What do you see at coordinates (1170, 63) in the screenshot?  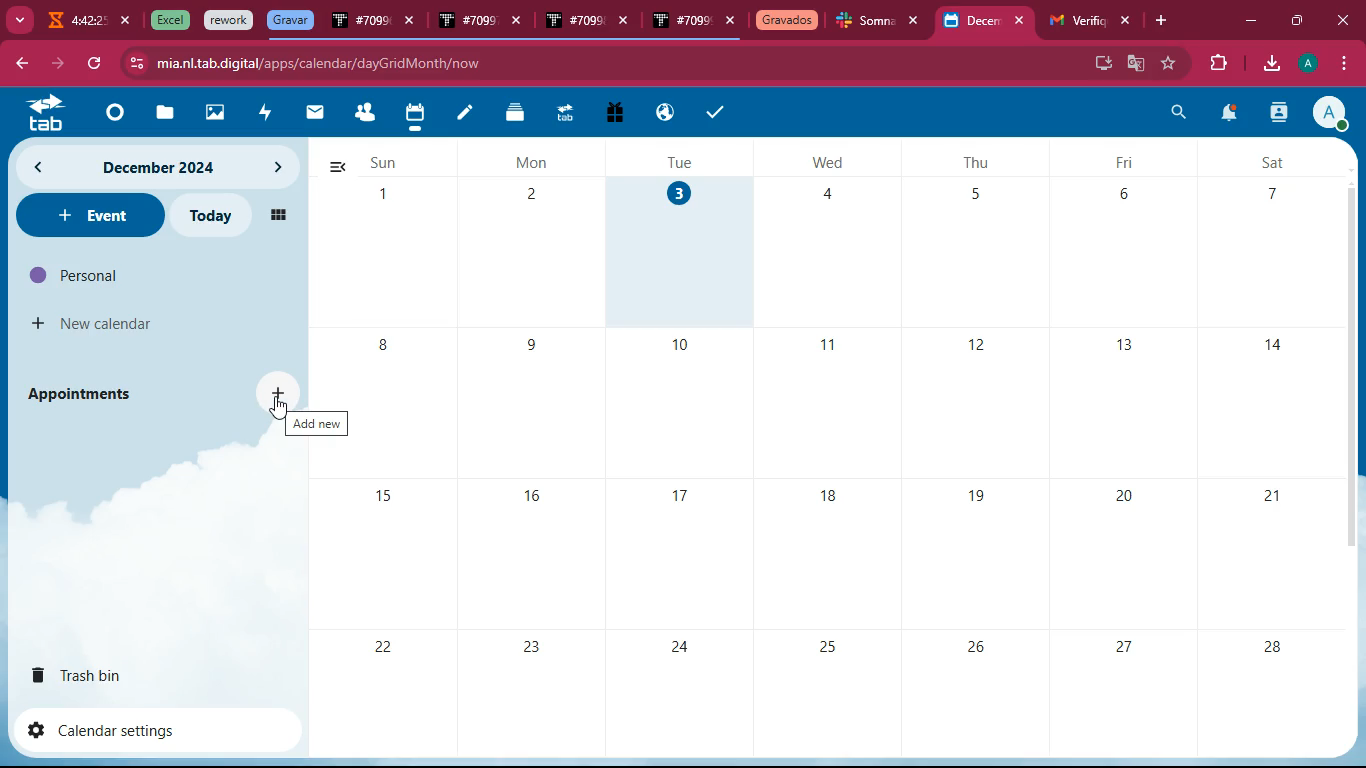 I see `favorites` at bounding box center [1170, 63].